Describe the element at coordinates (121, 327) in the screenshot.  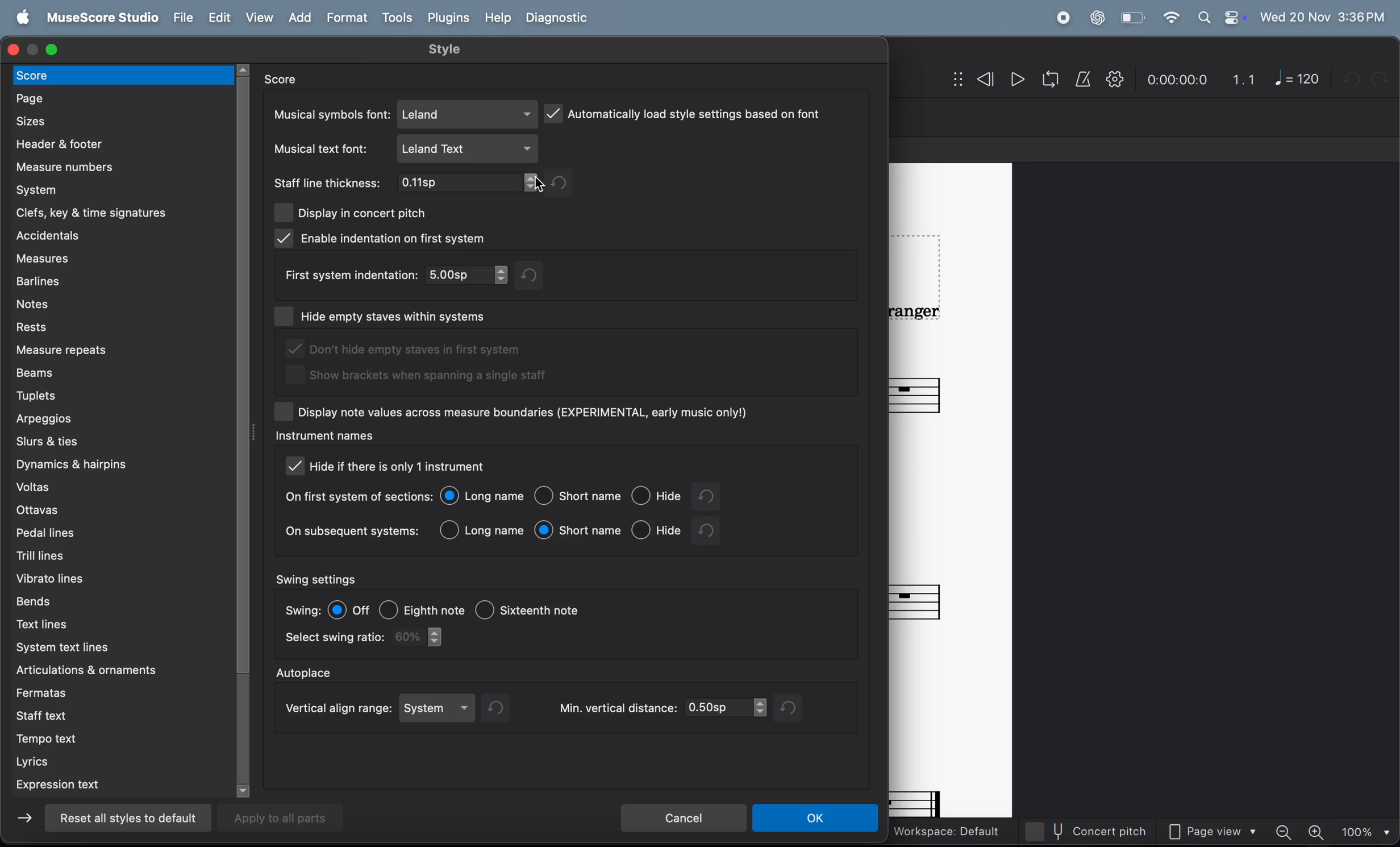
I see `rests` at that location.